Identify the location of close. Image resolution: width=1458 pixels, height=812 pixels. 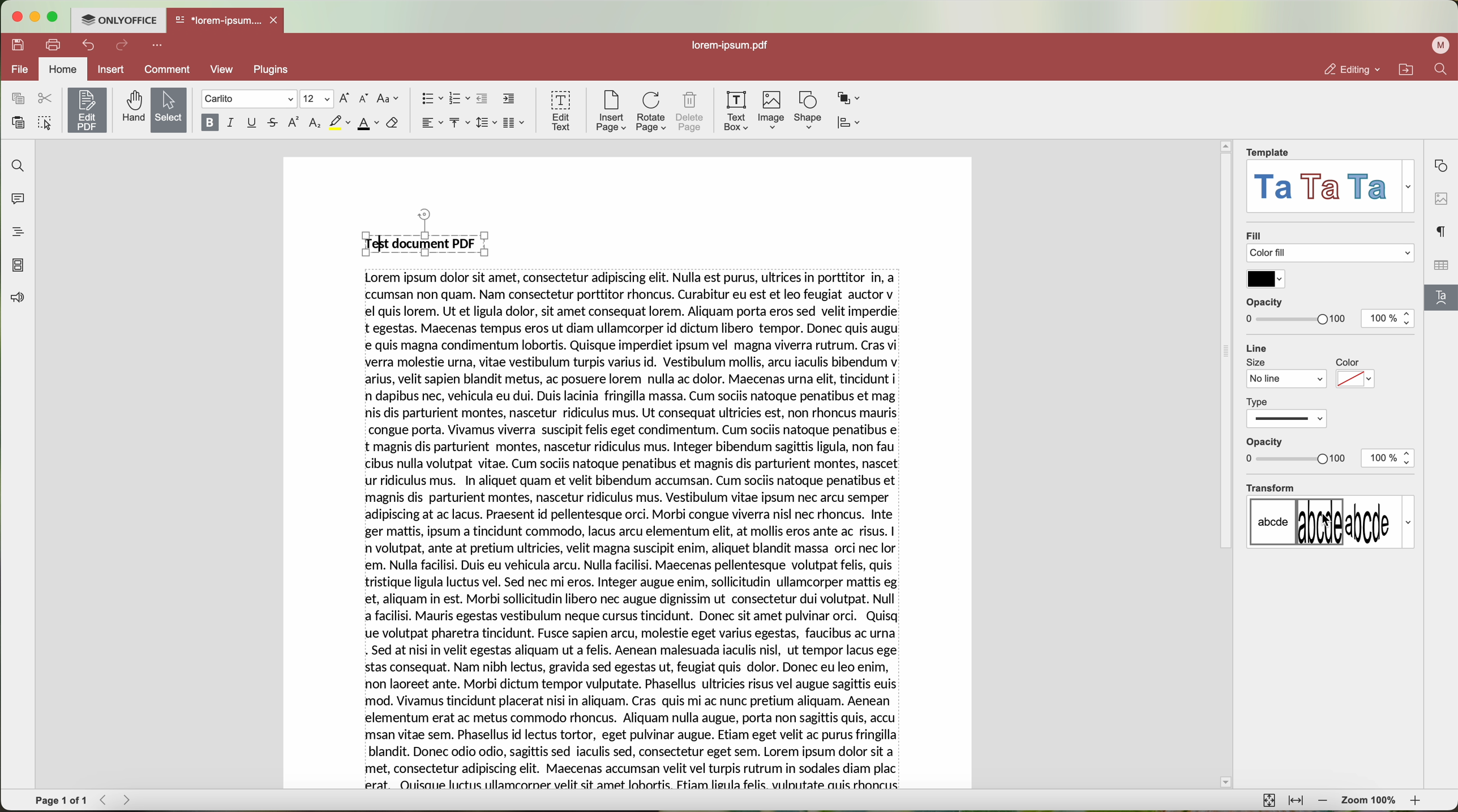
(278, 19).